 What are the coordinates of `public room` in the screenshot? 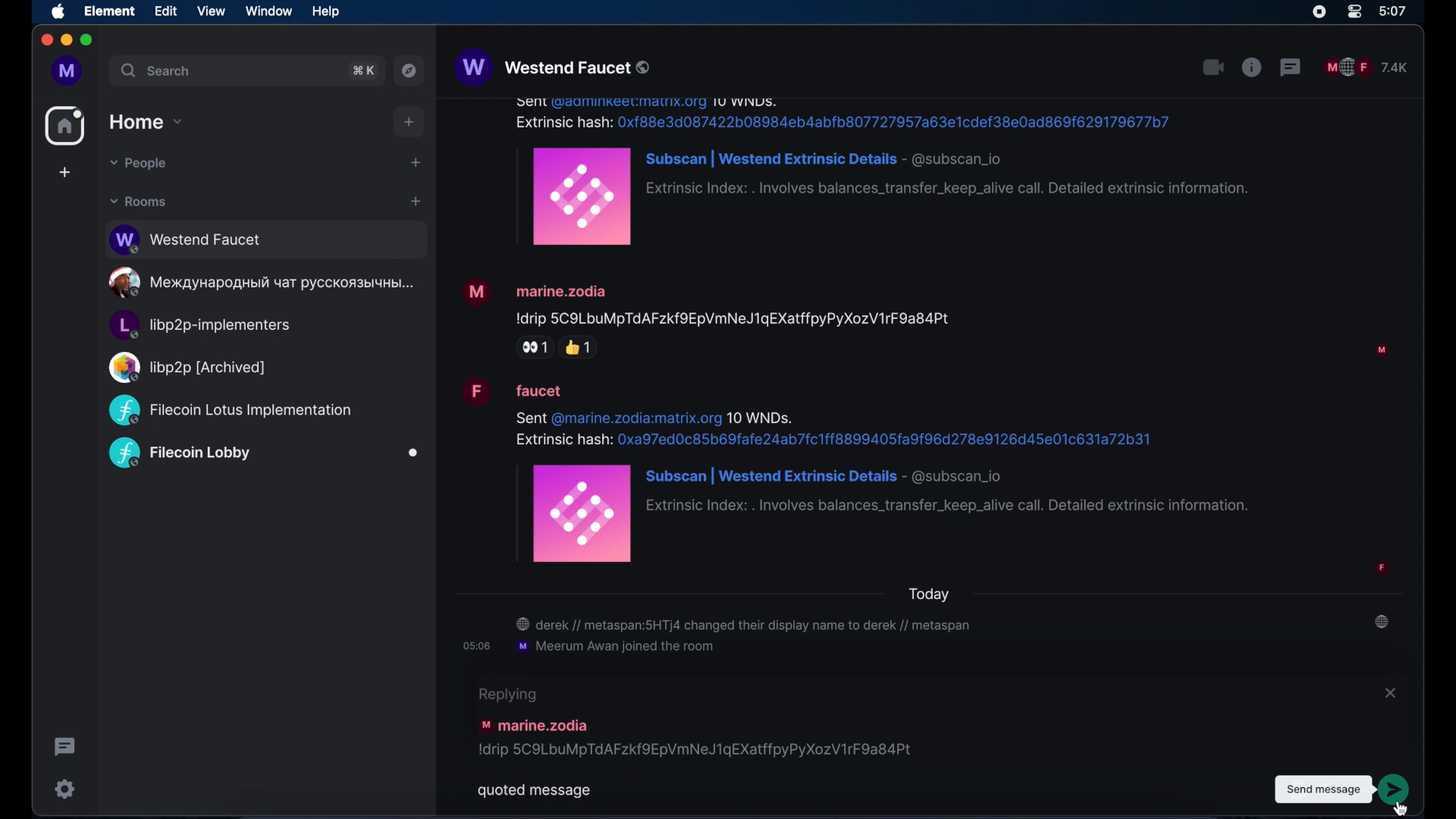 It's located at (200, 326).